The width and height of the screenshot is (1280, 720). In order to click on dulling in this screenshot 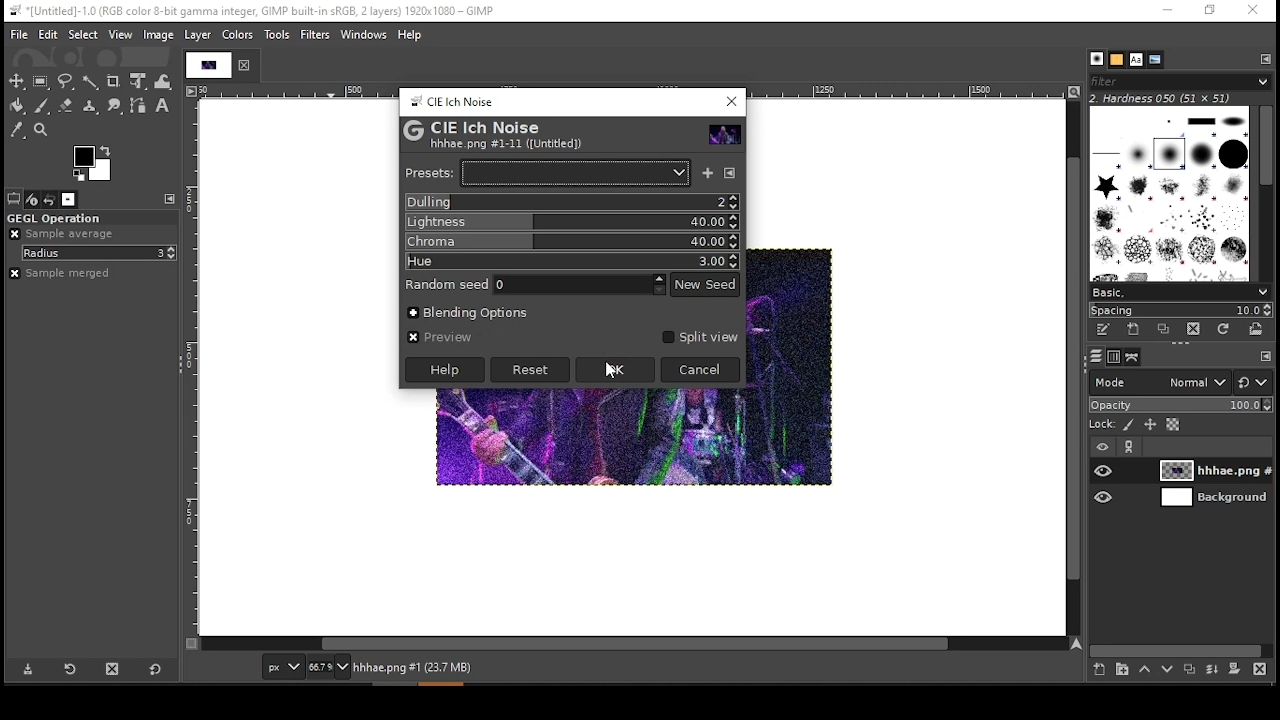, I will do `click(570, 202)`.